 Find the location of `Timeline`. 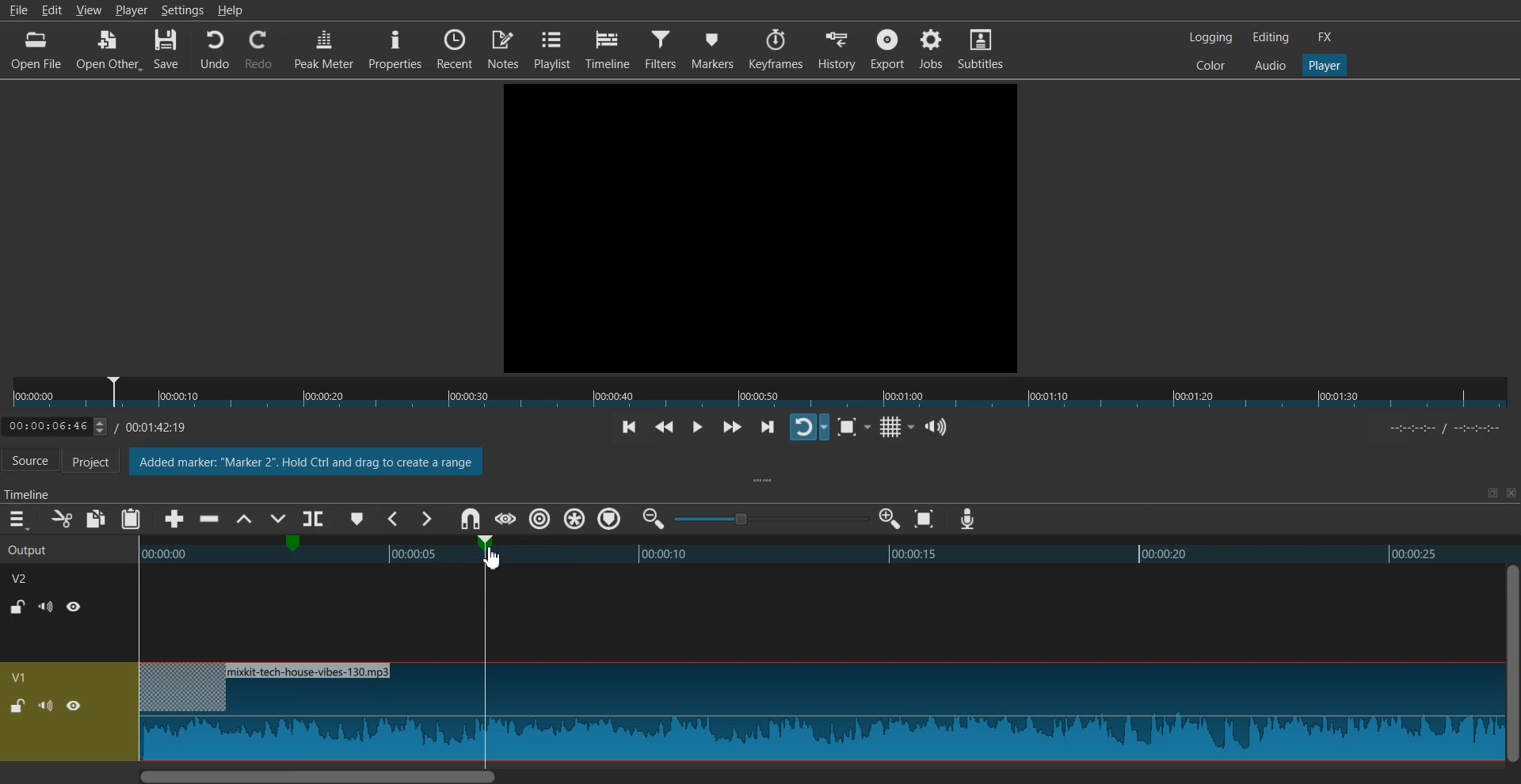

Timeline is located at coordinates (108, 424).